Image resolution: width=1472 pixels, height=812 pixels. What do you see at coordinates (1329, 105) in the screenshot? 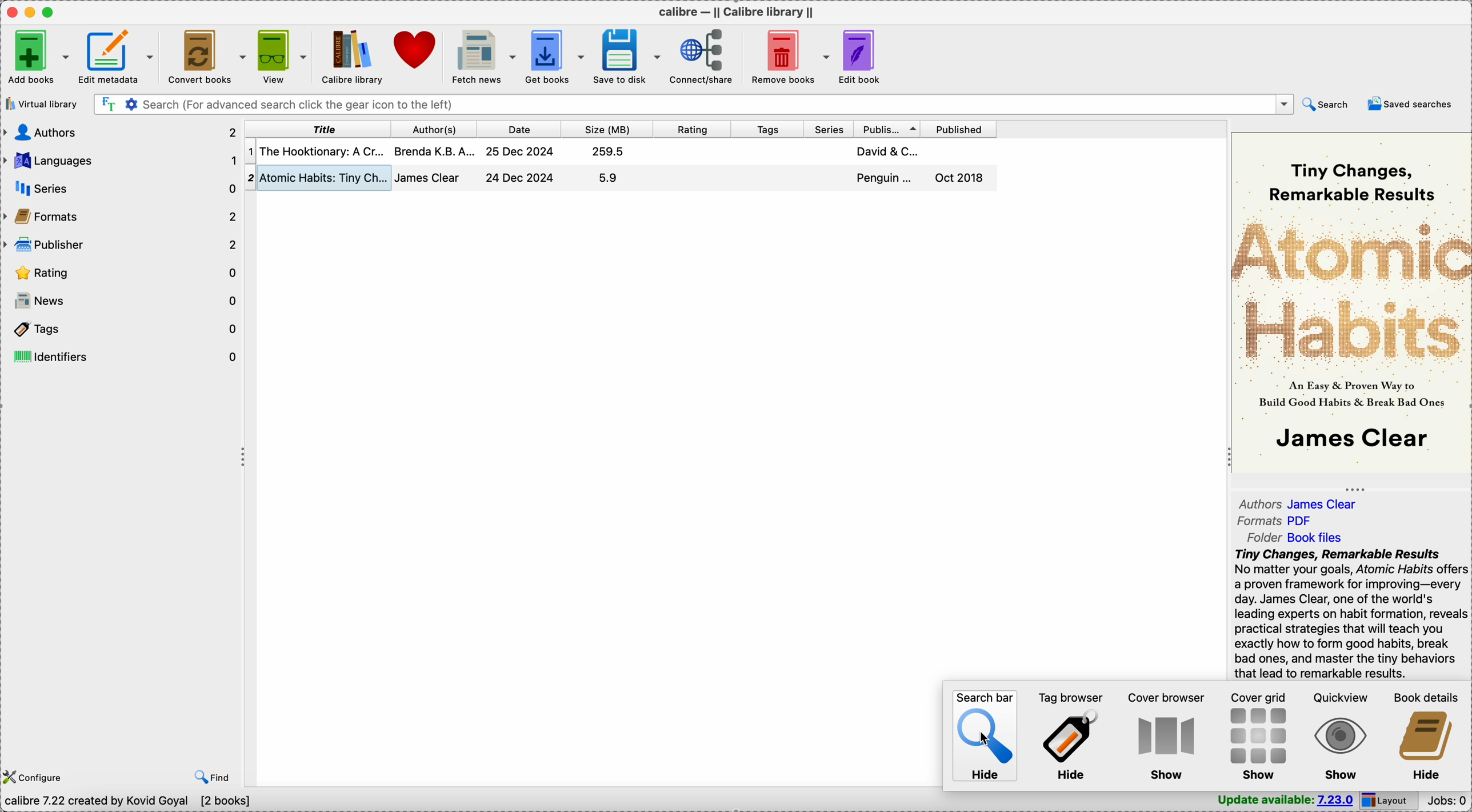
I see `search` at bounding box center [1329, 105].